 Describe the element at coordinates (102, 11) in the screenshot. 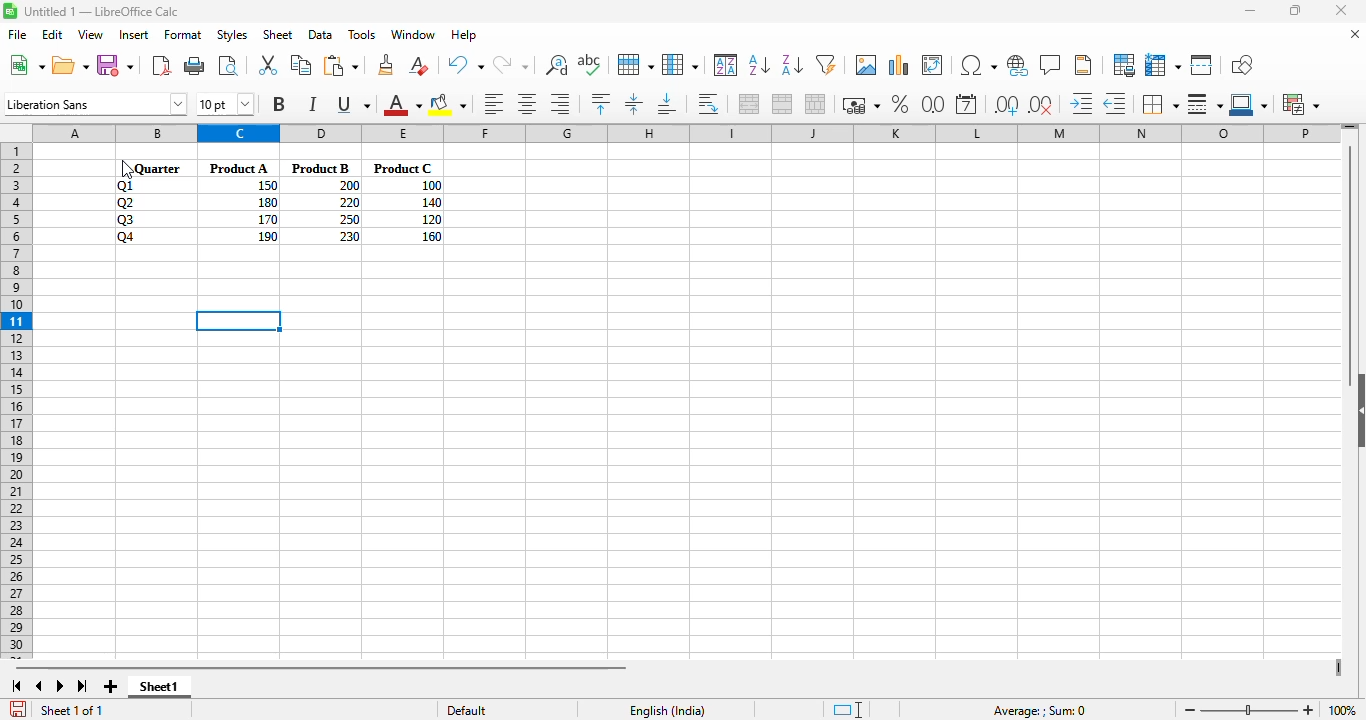

I see `Untitled 1 — LibreOffice Calc` at that location.